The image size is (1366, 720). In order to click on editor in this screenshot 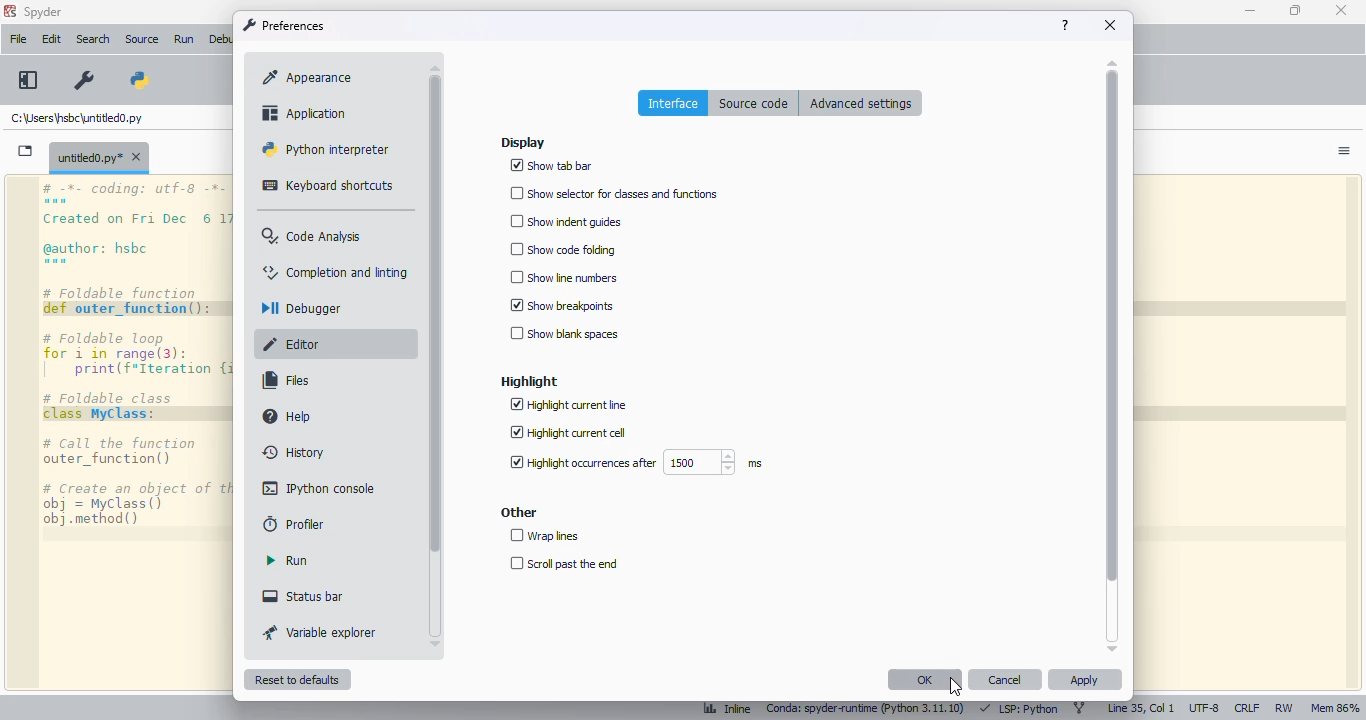, I will do `click(293, 344)`.